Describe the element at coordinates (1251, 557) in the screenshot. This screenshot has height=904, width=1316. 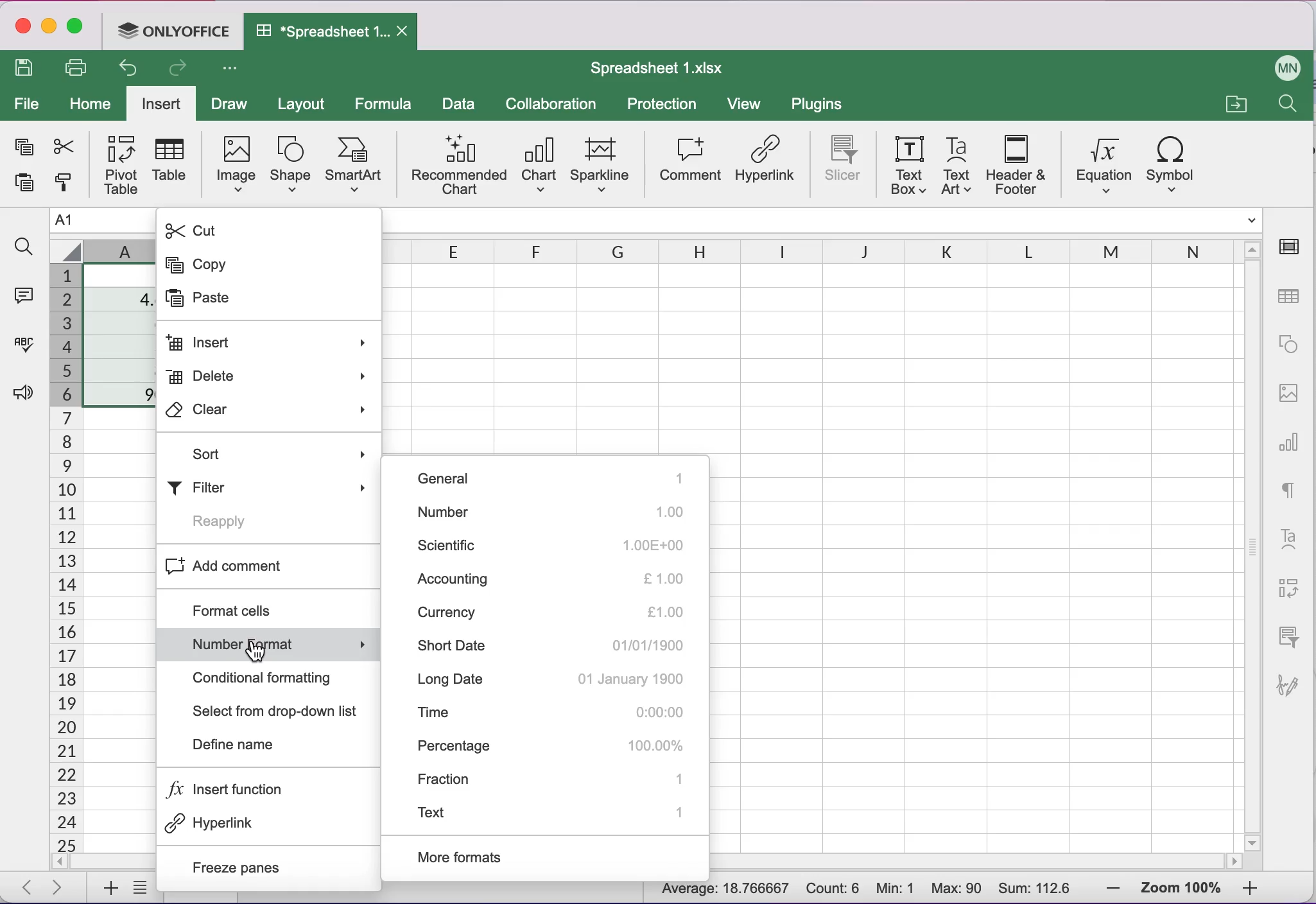
I see `vertical scrollbar` at that location.